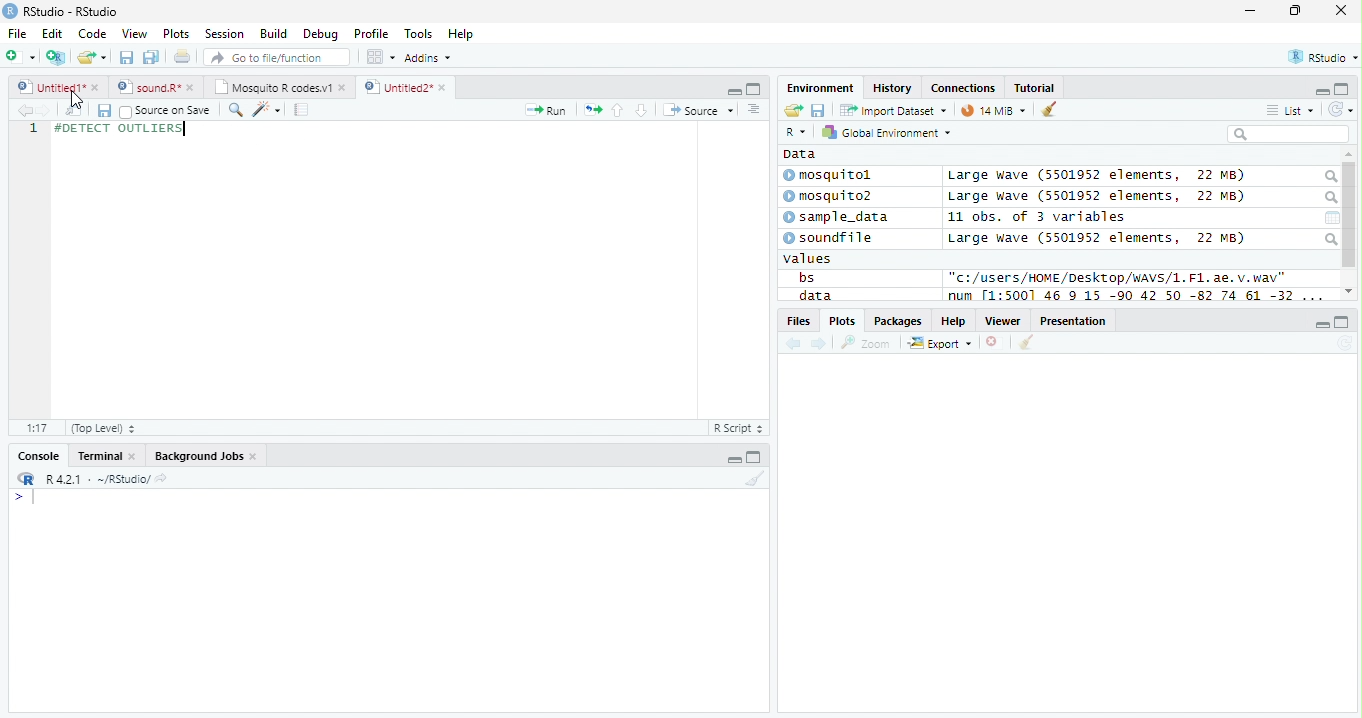 This screenshot has height=718, width=1362. What do you see at coordinates (23, 109) in the screenshot?
I see `Go backward` at bounding box center [23, 109].